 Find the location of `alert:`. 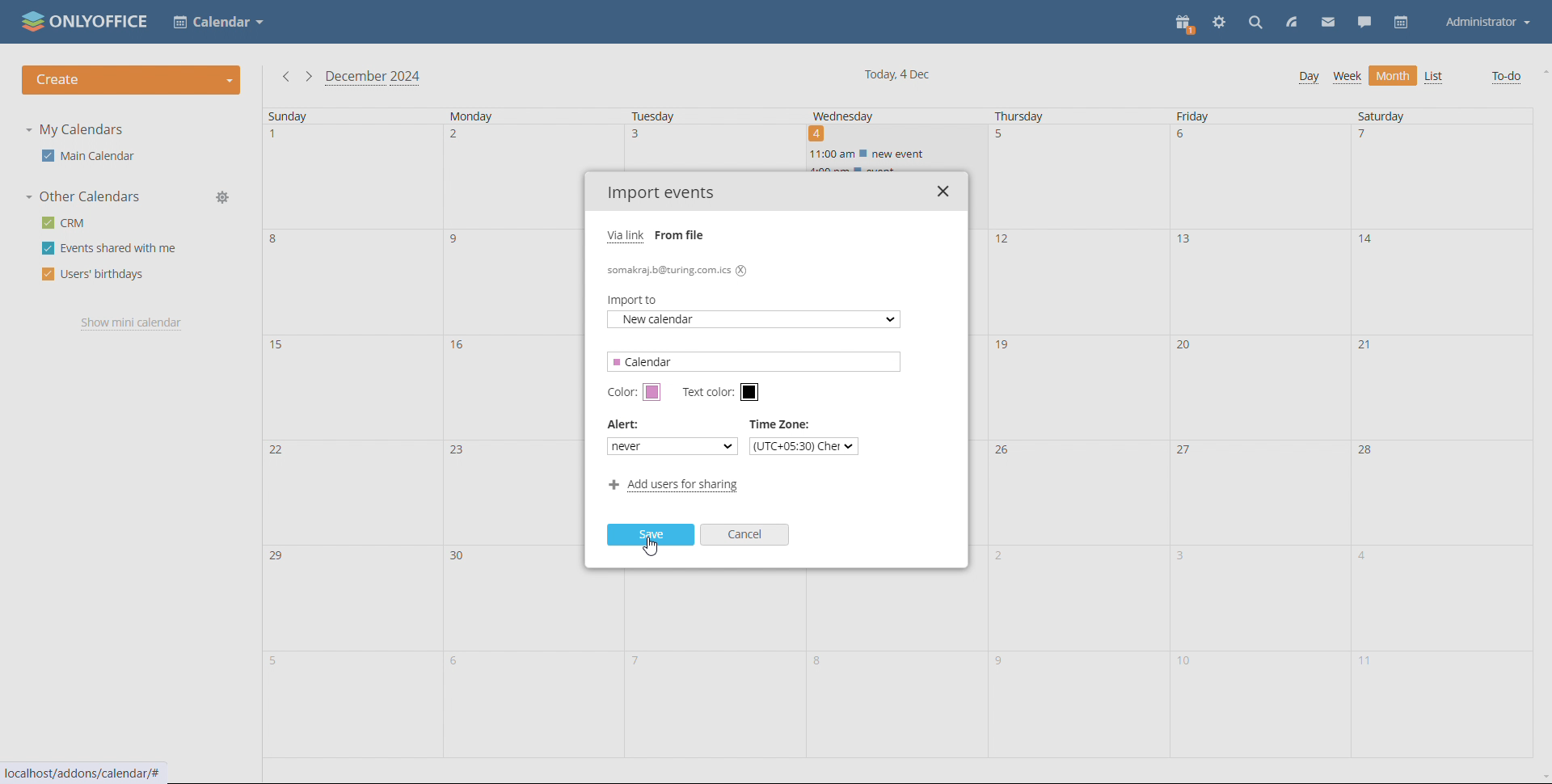

alert: is located at coordinates (626, 424).